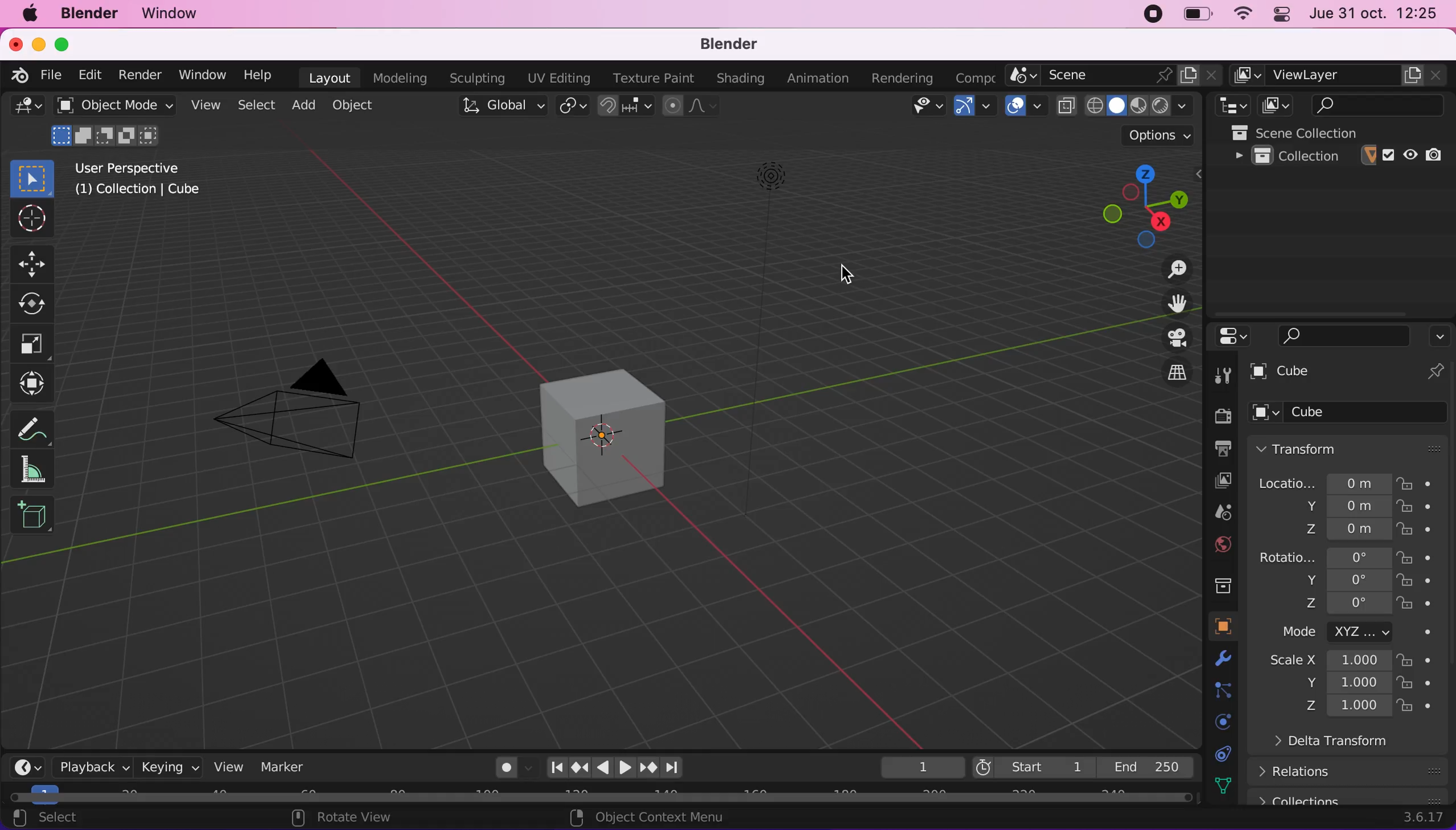 The width and height of the screenshot is (1456, 830). Describe the element at coordinates (601, 769) in the screenshot. I see `Play animation` at that location.